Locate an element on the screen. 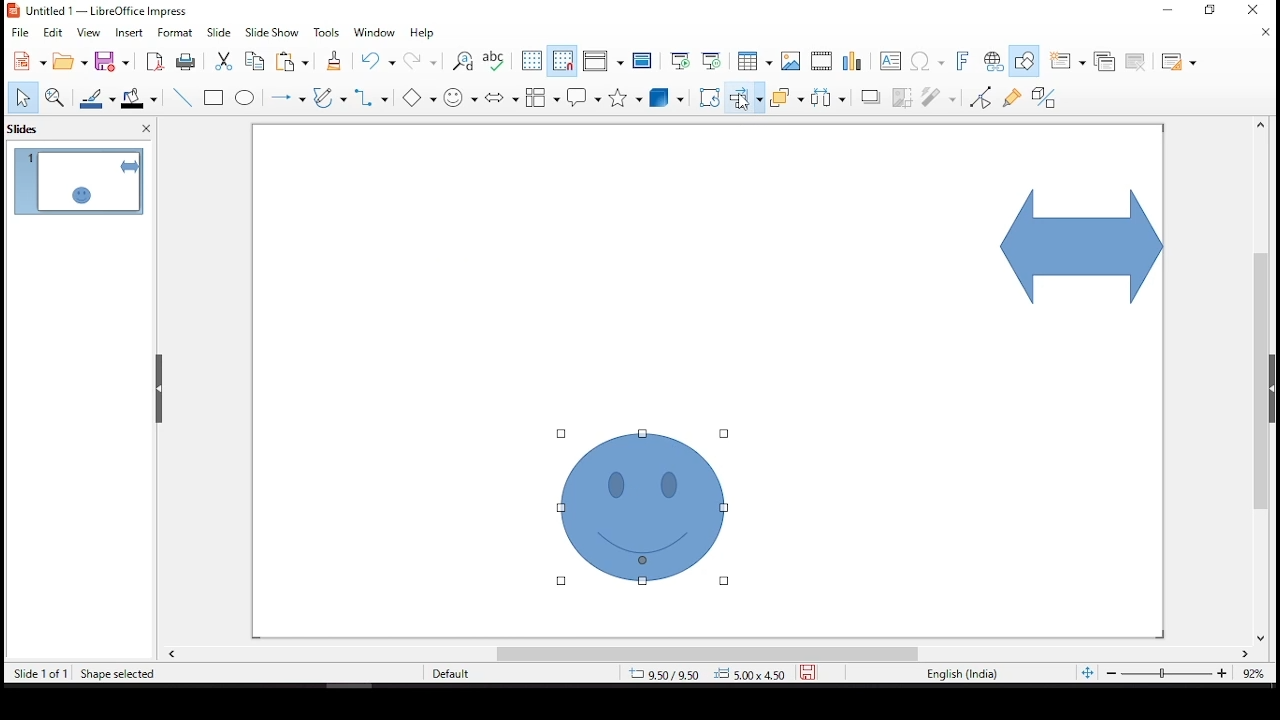 The image size is (1280, 720). format is located at coordinates (178, 33).